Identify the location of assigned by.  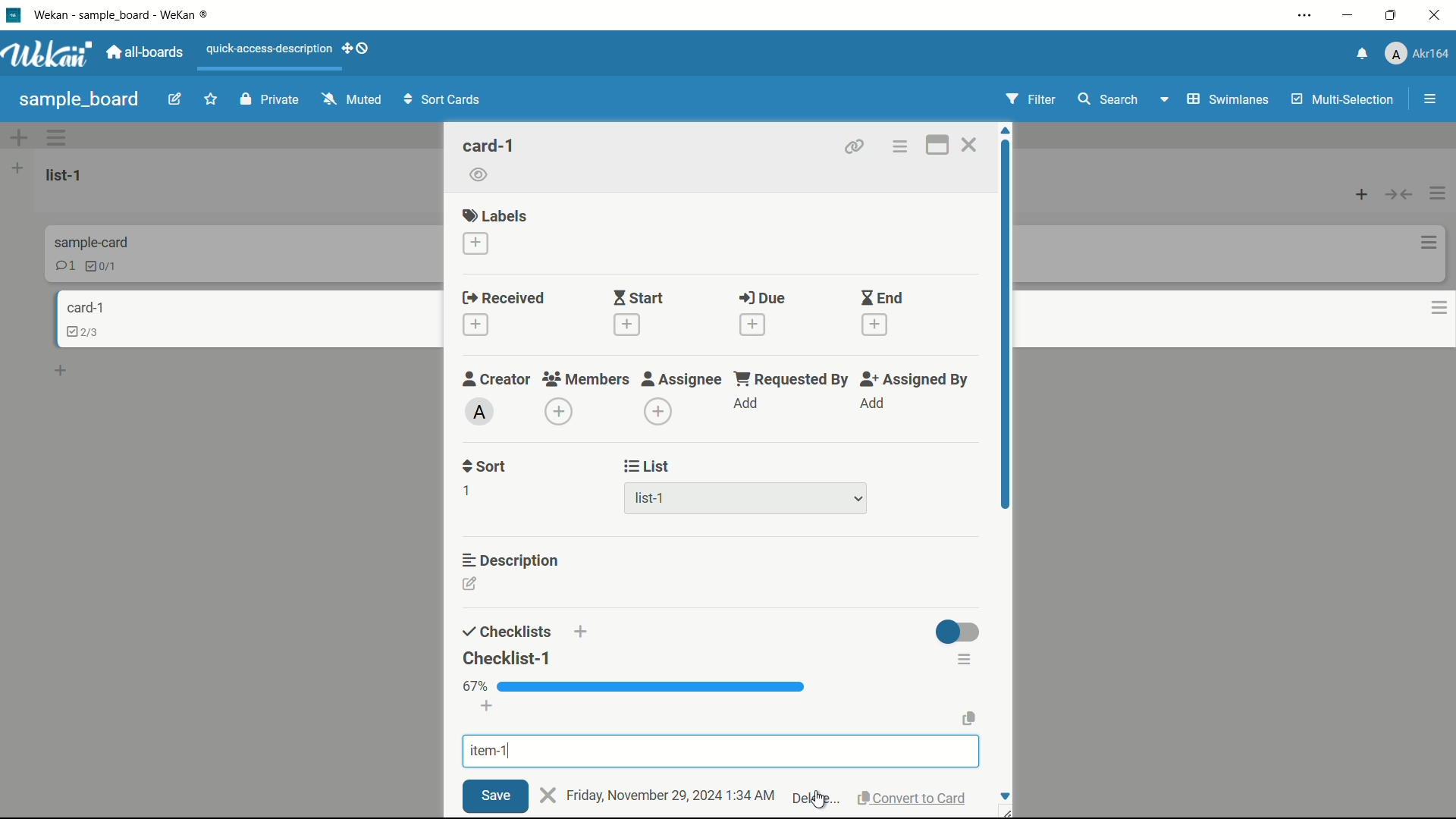
(915, 381).